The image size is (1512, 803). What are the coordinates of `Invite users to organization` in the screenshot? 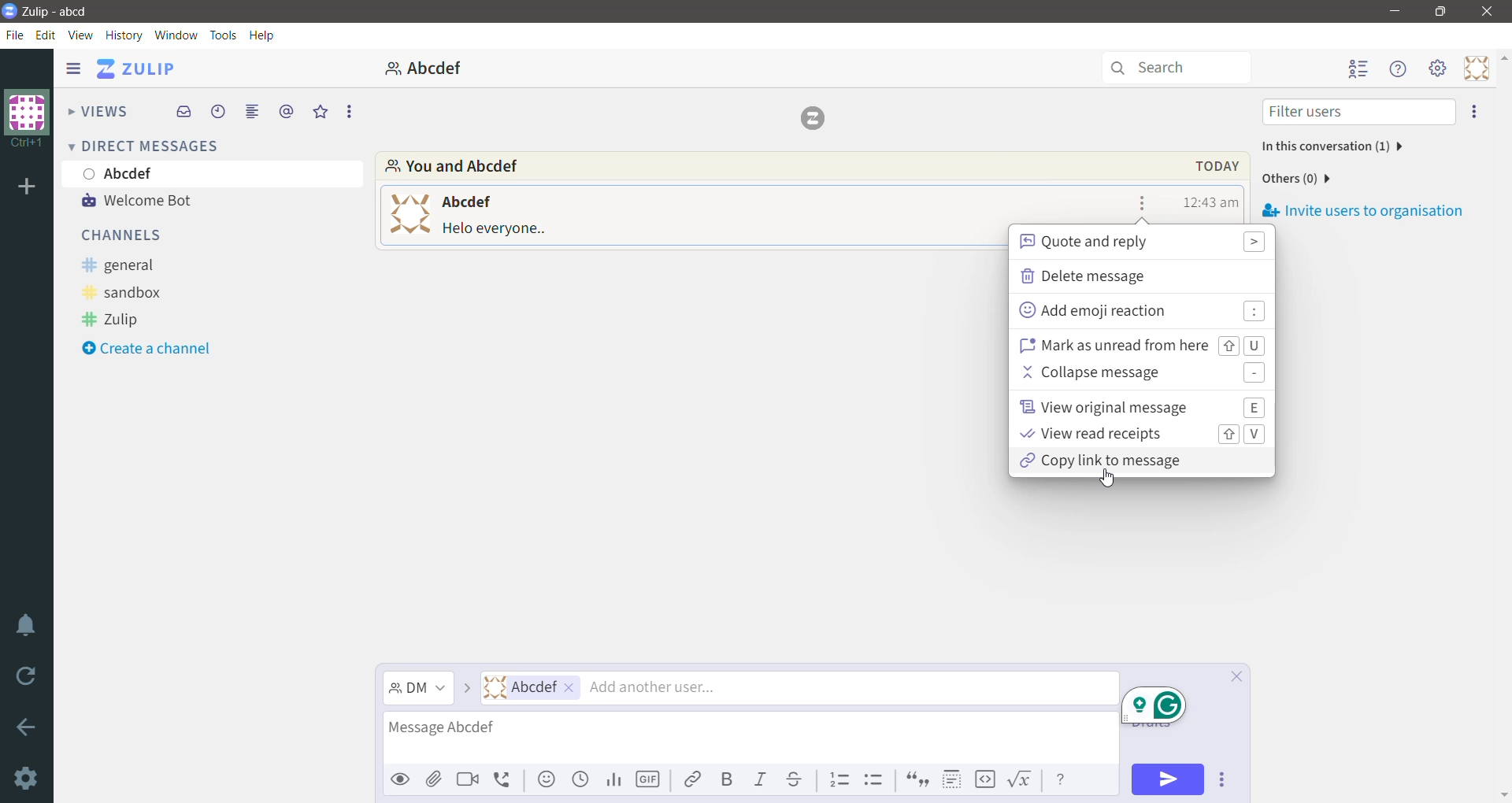 It's located at (1362, 210).